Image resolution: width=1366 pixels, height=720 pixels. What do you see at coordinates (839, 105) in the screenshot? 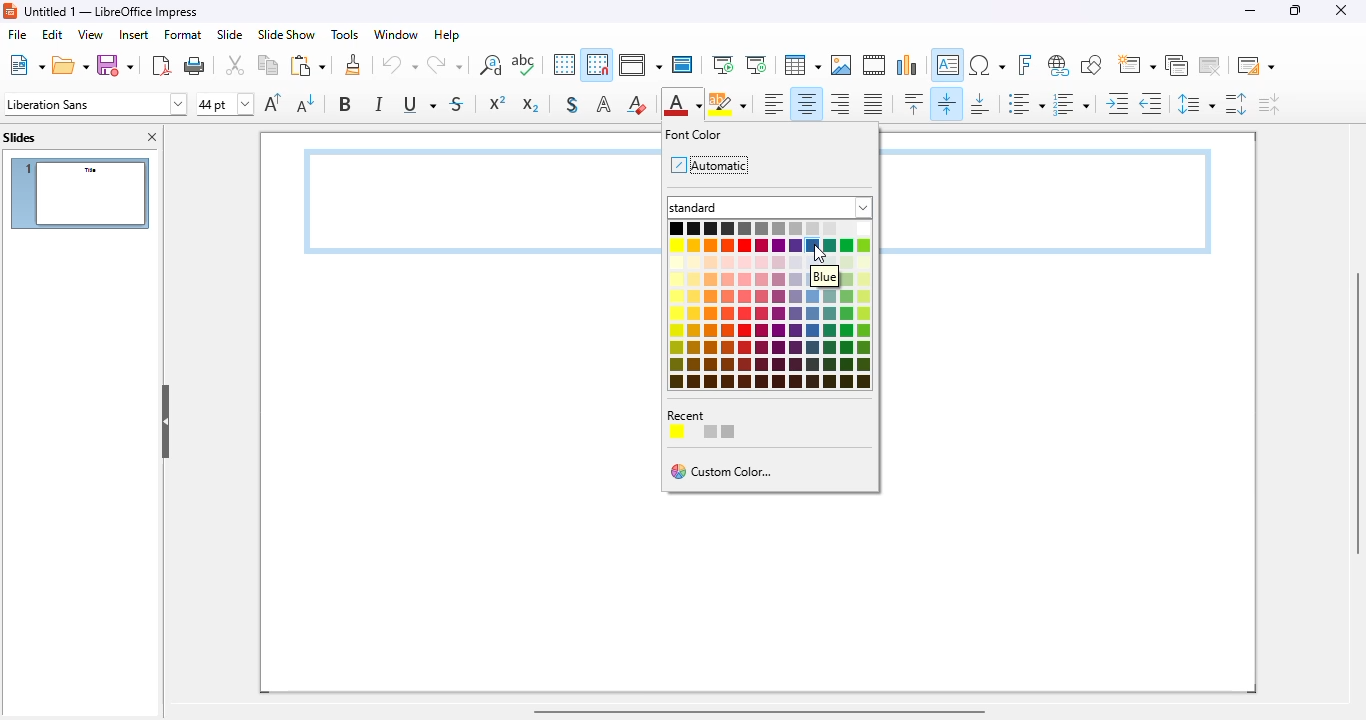
I see `align right` at bounding box center [839, 105].